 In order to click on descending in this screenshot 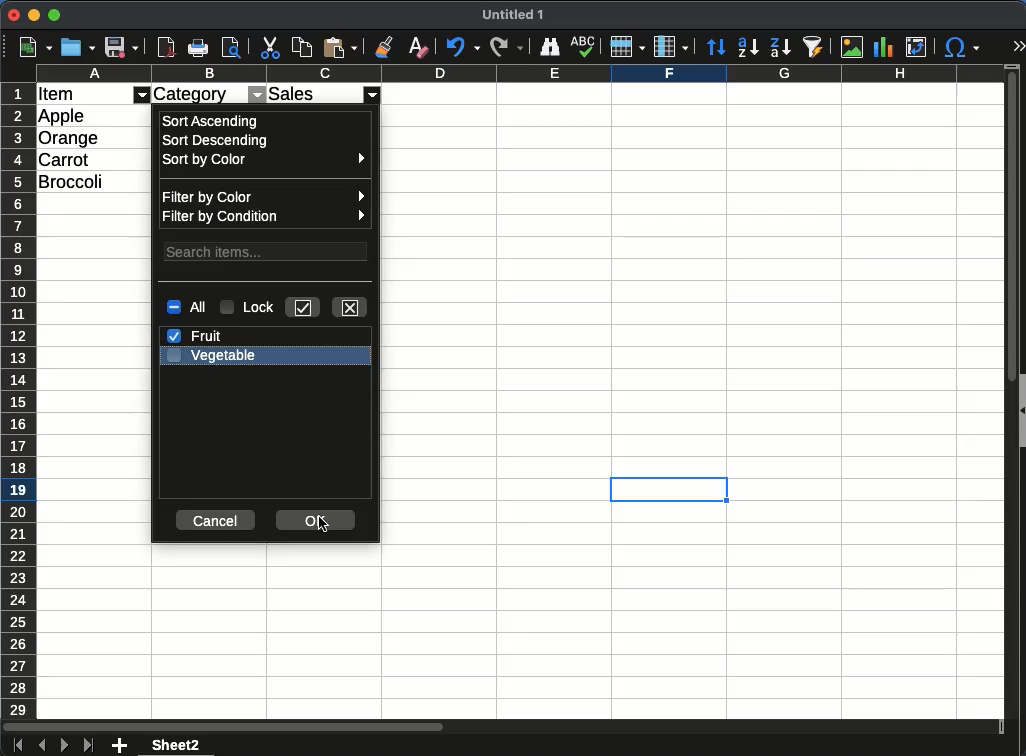, I will do `click(747, 48)`.